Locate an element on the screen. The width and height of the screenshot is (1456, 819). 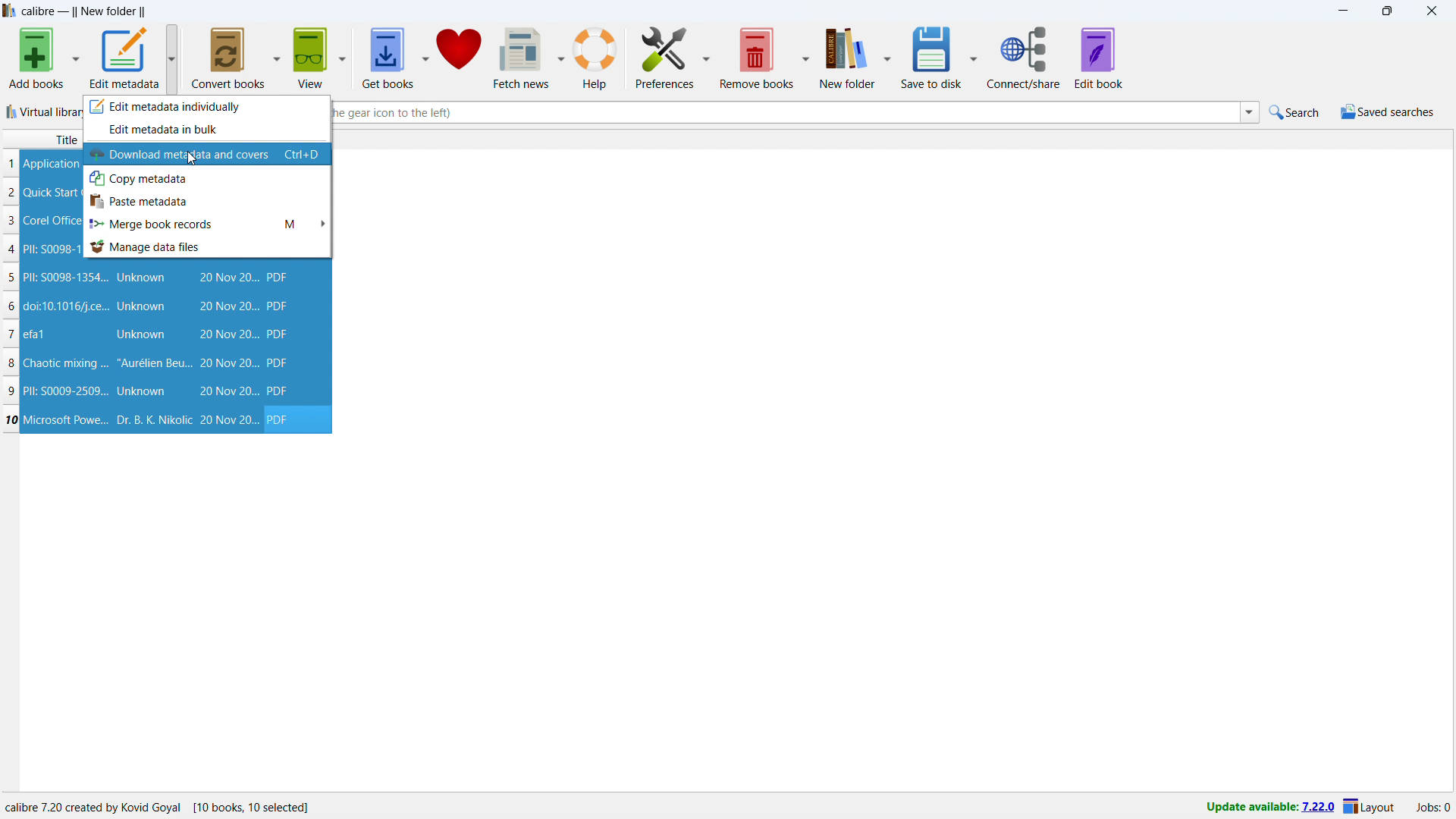
calibre - || New folder|| is located at coordinates (86, 11).